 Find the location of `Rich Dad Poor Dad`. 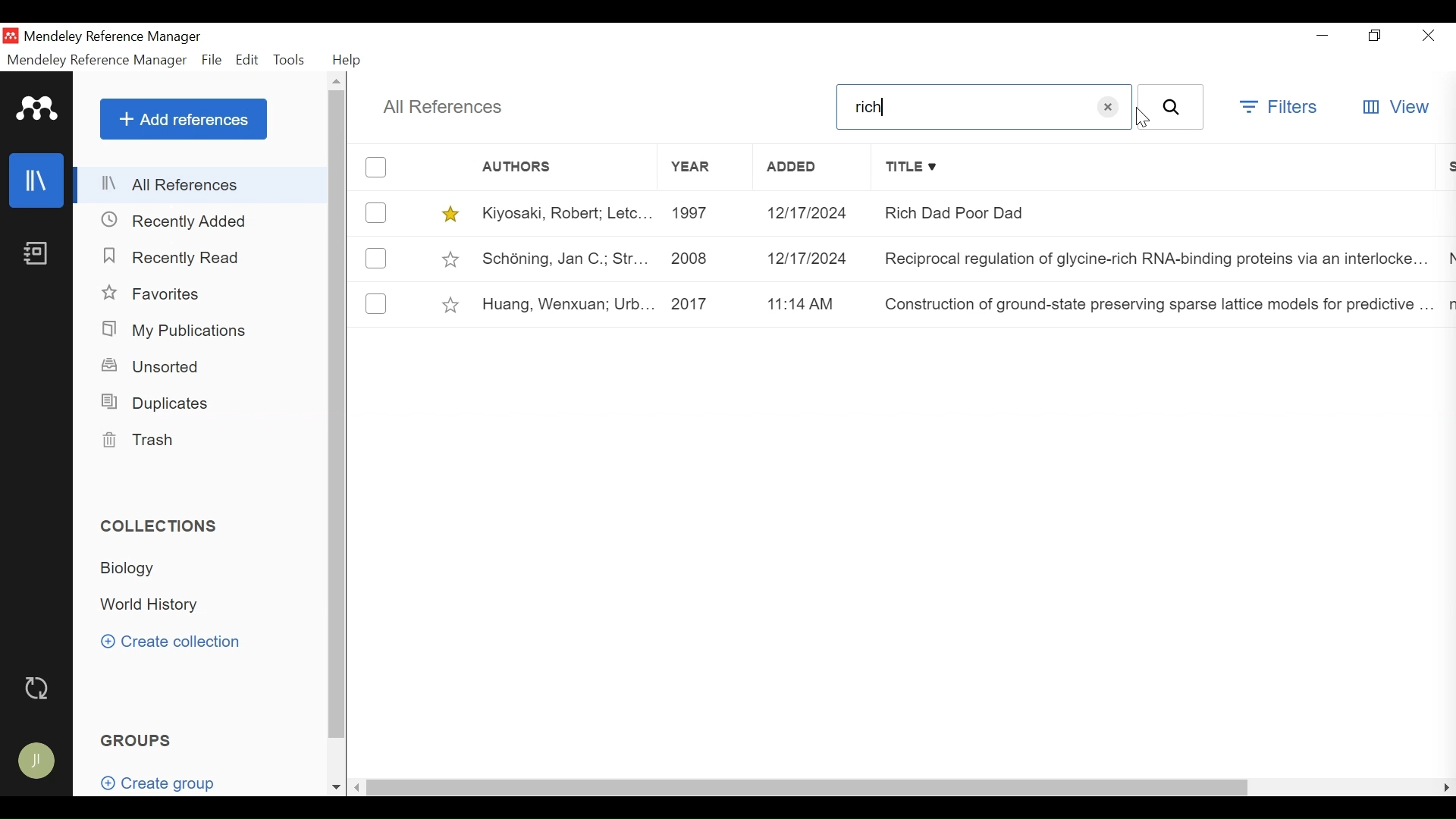

Rich Dad Poor Dad is located at coordinates (1156, 212).